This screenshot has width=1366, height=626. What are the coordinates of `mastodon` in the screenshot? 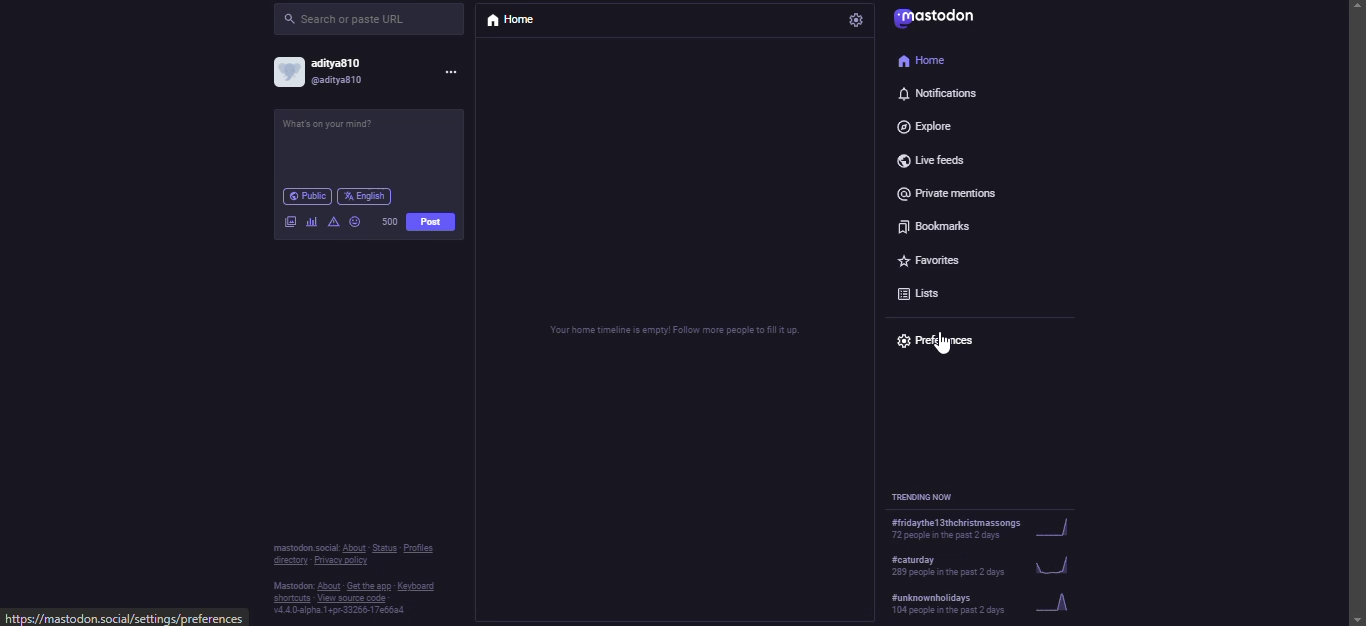 It's located at (954, 21).